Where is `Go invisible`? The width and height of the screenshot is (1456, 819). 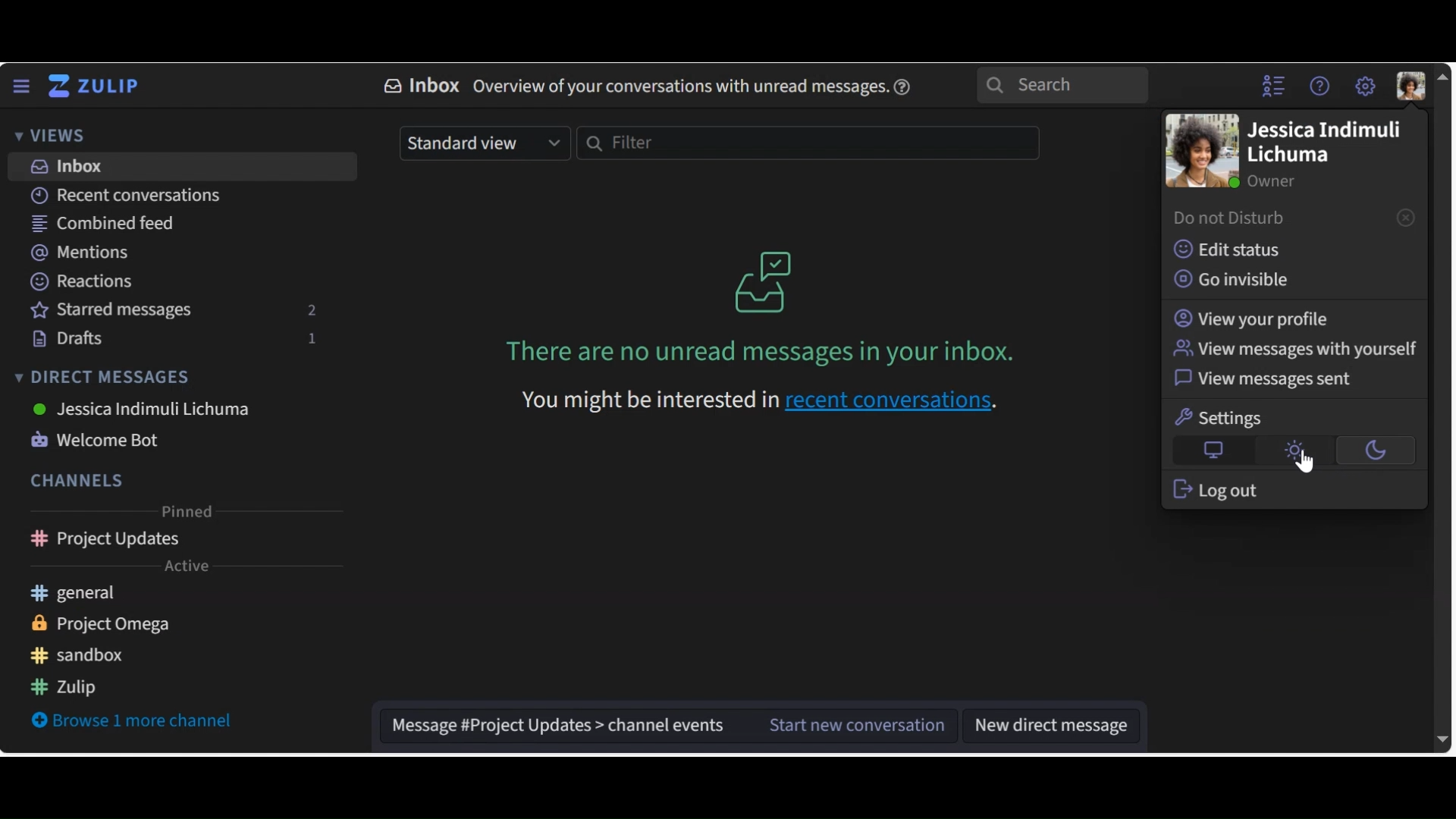
Go invisible is located at coordinates (1239, 280).